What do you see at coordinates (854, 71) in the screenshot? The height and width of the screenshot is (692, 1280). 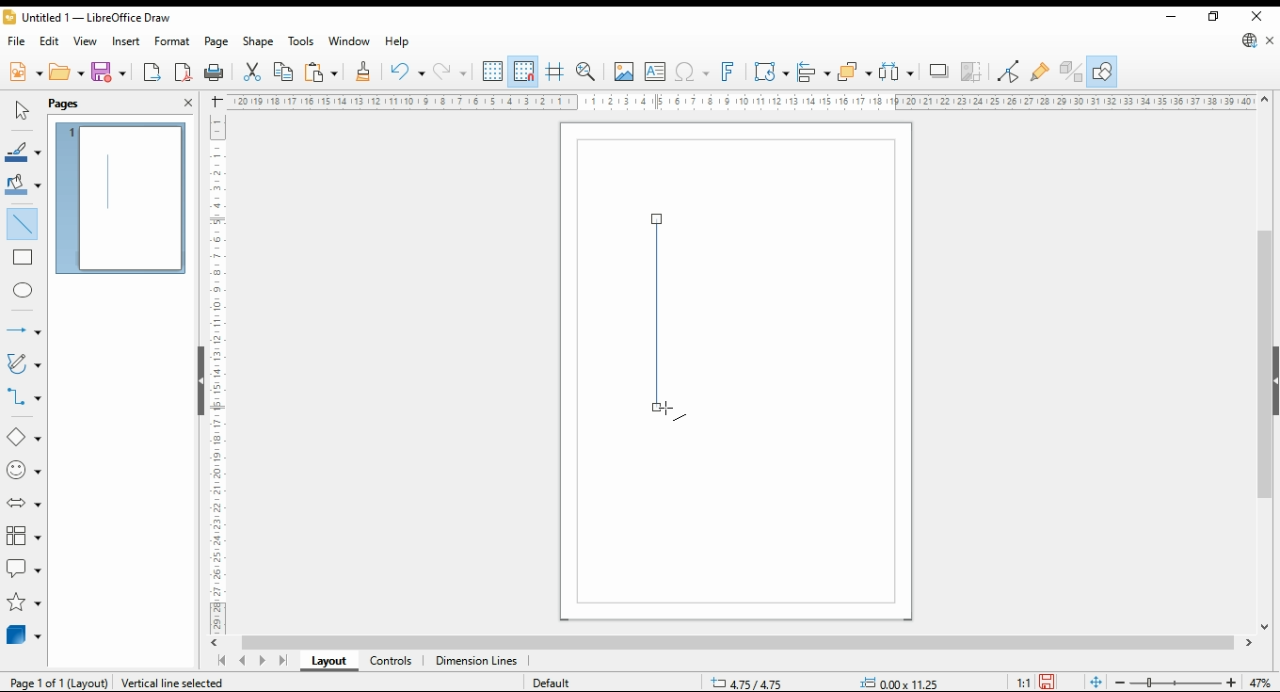 I see `arrange` at bounding box center [854, 71].